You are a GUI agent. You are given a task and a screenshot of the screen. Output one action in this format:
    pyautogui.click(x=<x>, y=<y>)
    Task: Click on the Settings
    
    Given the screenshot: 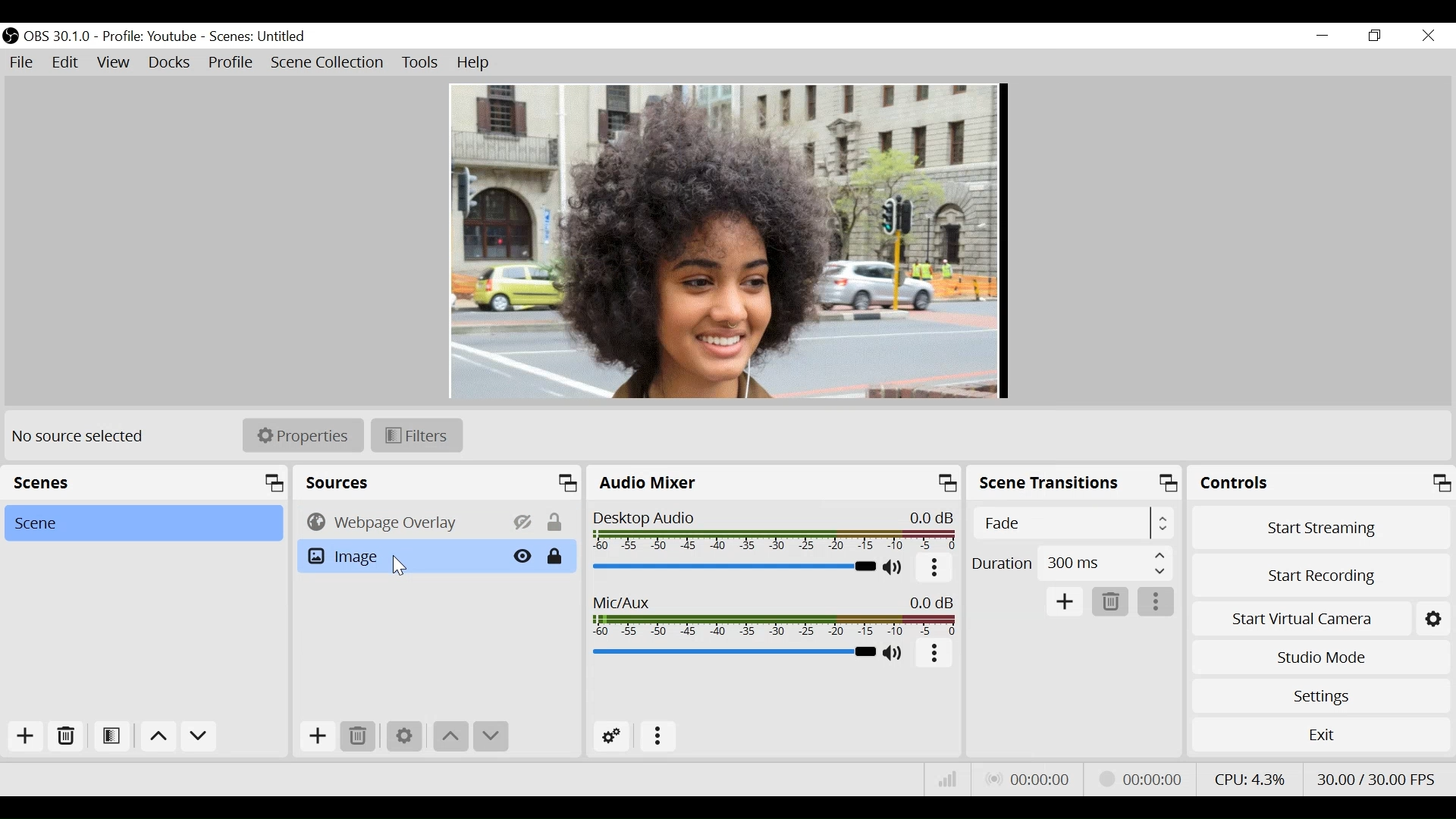 What is the action you would take?
    pyautogui.click(x=404, y=736)
    